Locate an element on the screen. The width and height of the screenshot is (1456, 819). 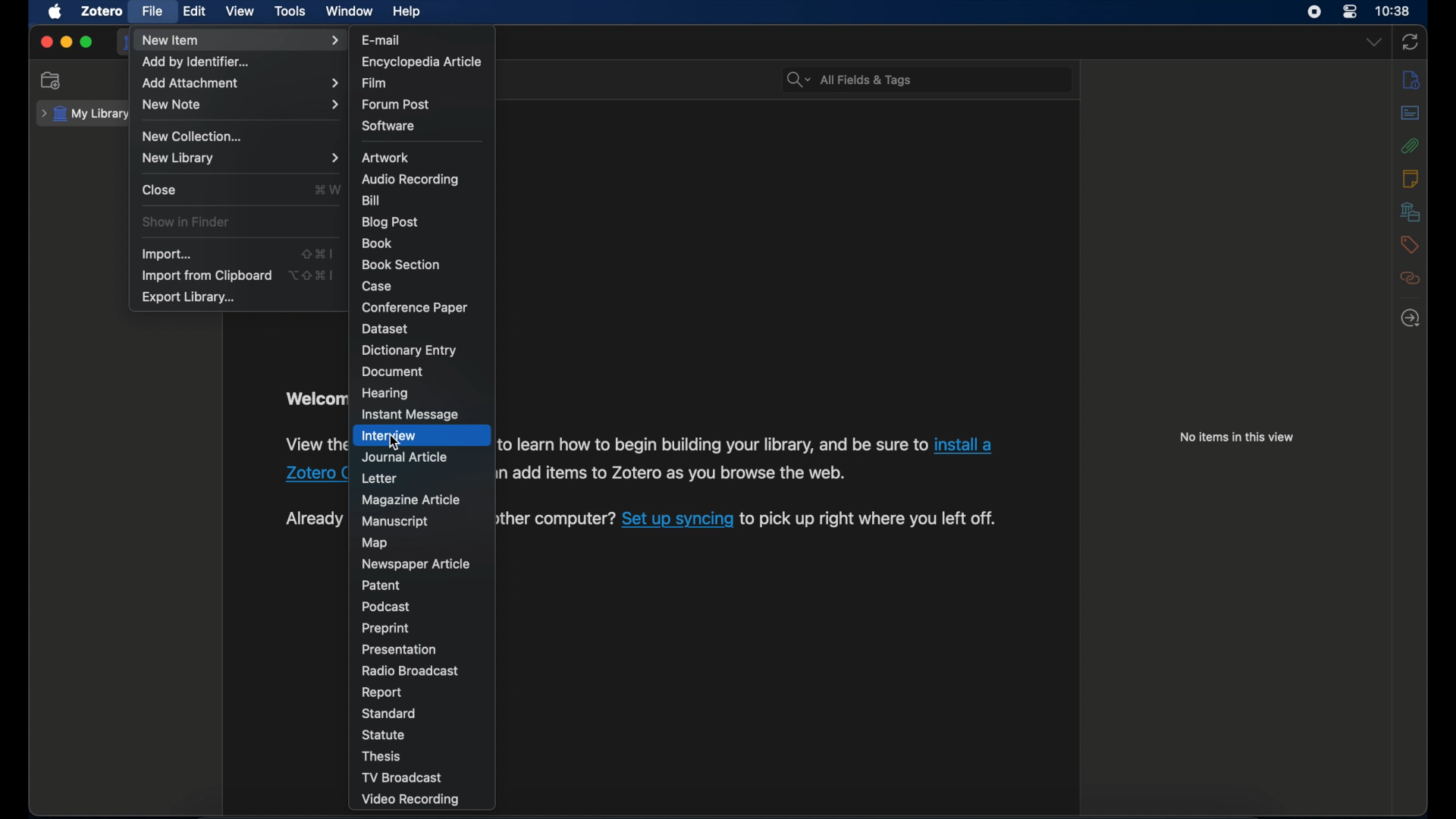
Zotero Connector is located at coordinates (315, 475).